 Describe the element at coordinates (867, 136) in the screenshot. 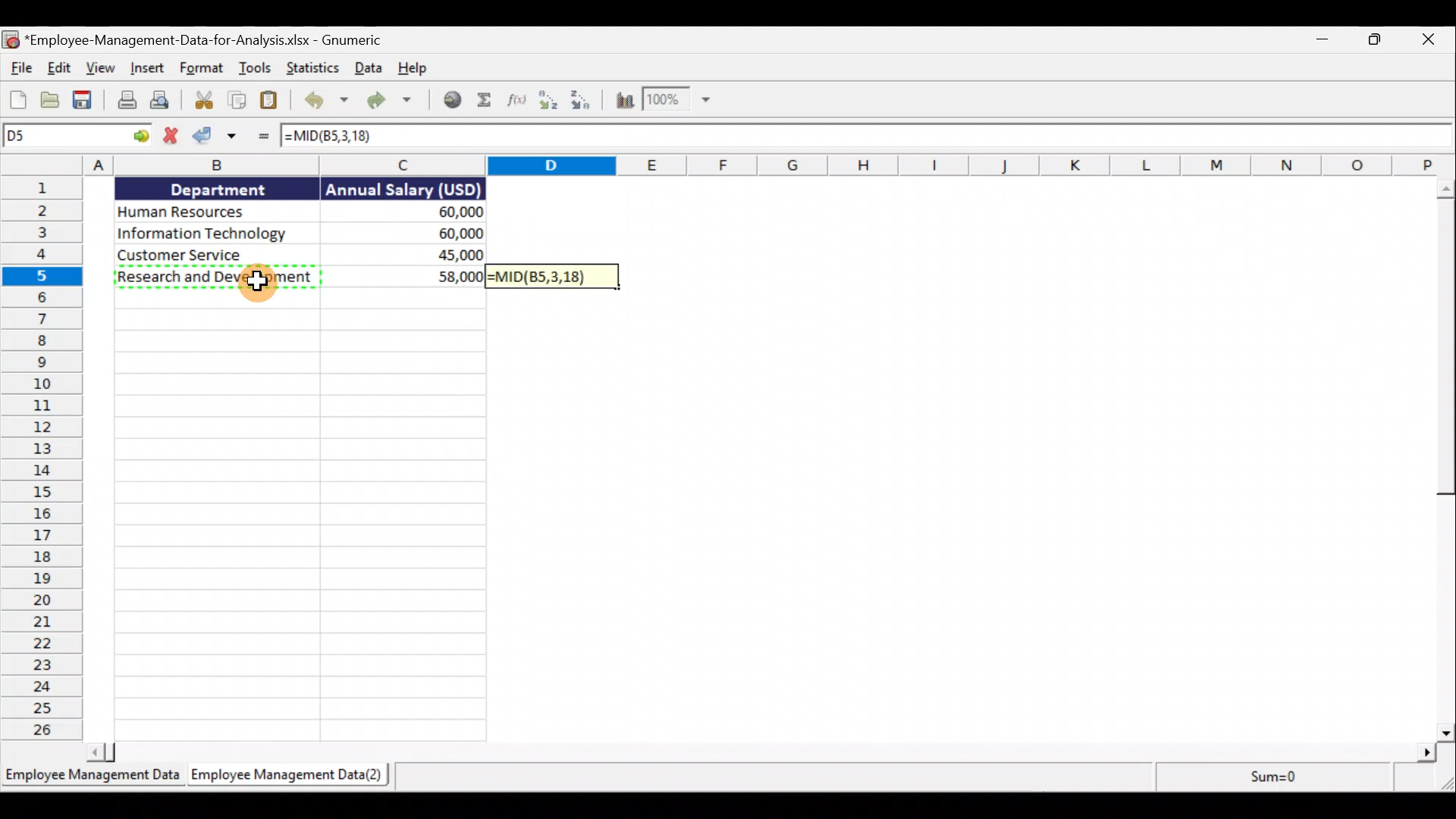

I see `=MID(B5,3,18)` at that location.